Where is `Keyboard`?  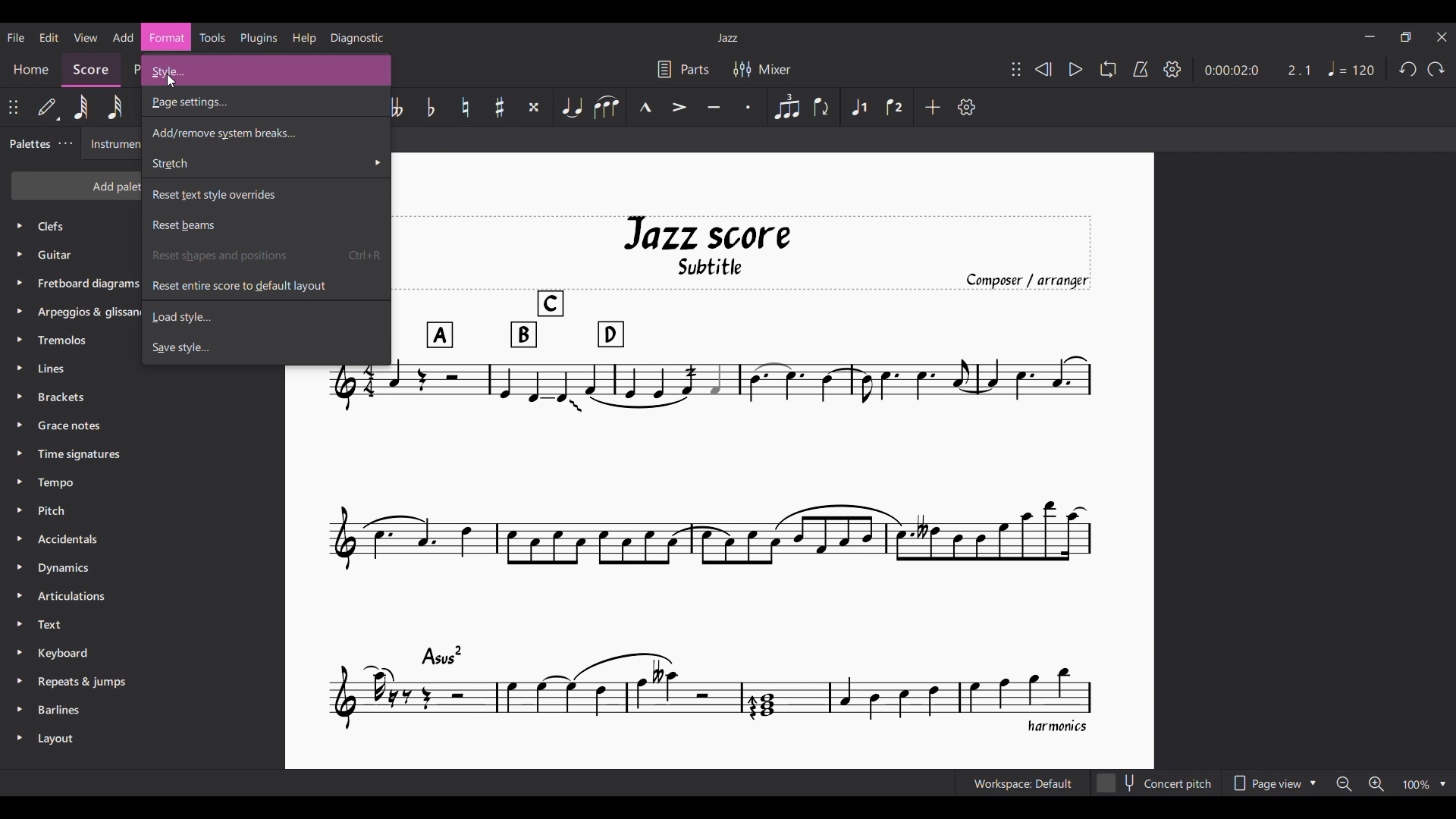
Keyboard is located at coordinates (72, 653).